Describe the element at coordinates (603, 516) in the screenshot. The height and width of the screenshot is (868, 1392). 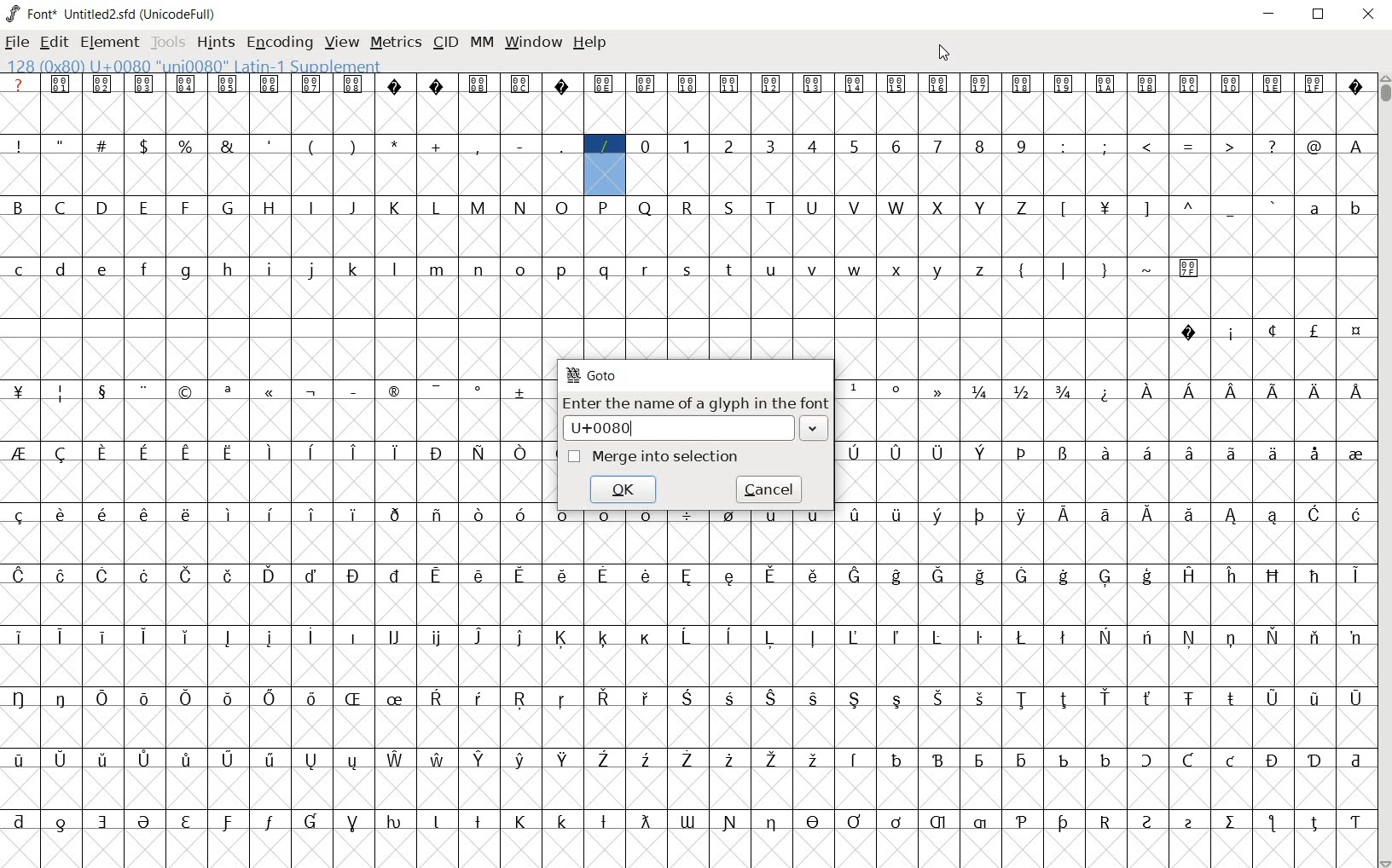
I see `glyph` at that location.